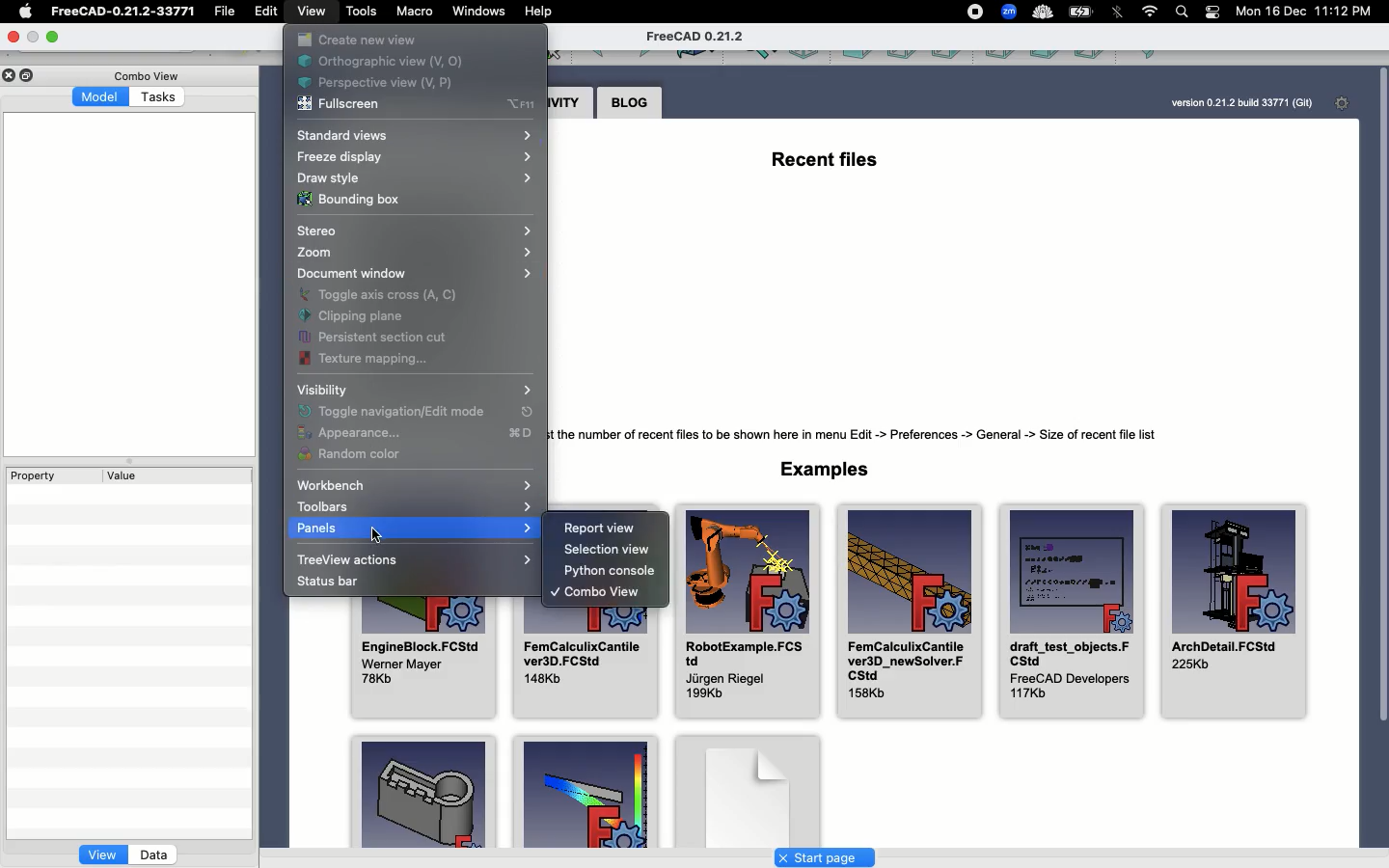 This screenshot has height=868, width=1389. Describe the element at coordinates (422, 791) in the screenshot. I see `Examples` at that location.